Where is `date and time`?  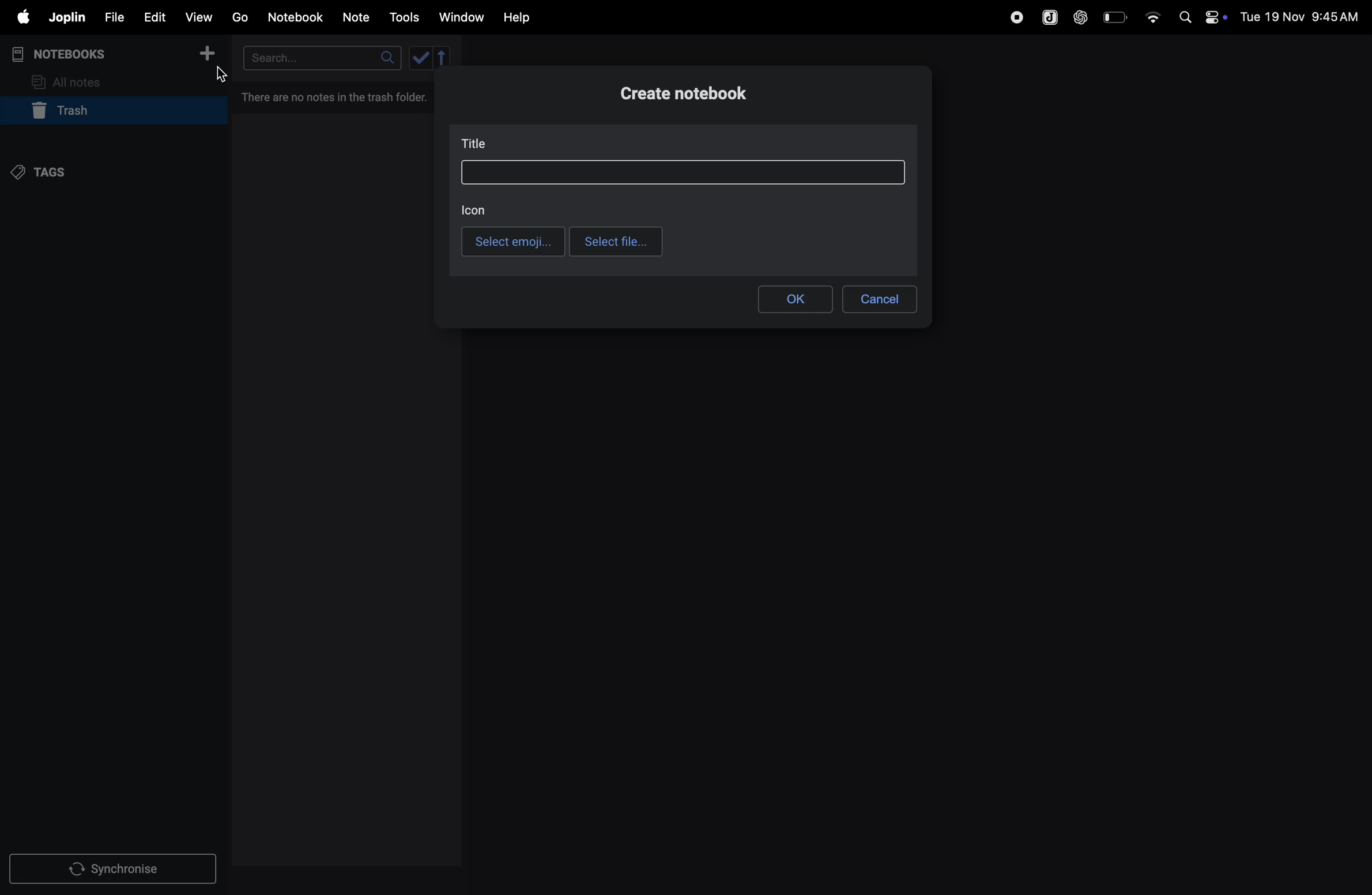
date and time is located at coordinates (1303, 16).